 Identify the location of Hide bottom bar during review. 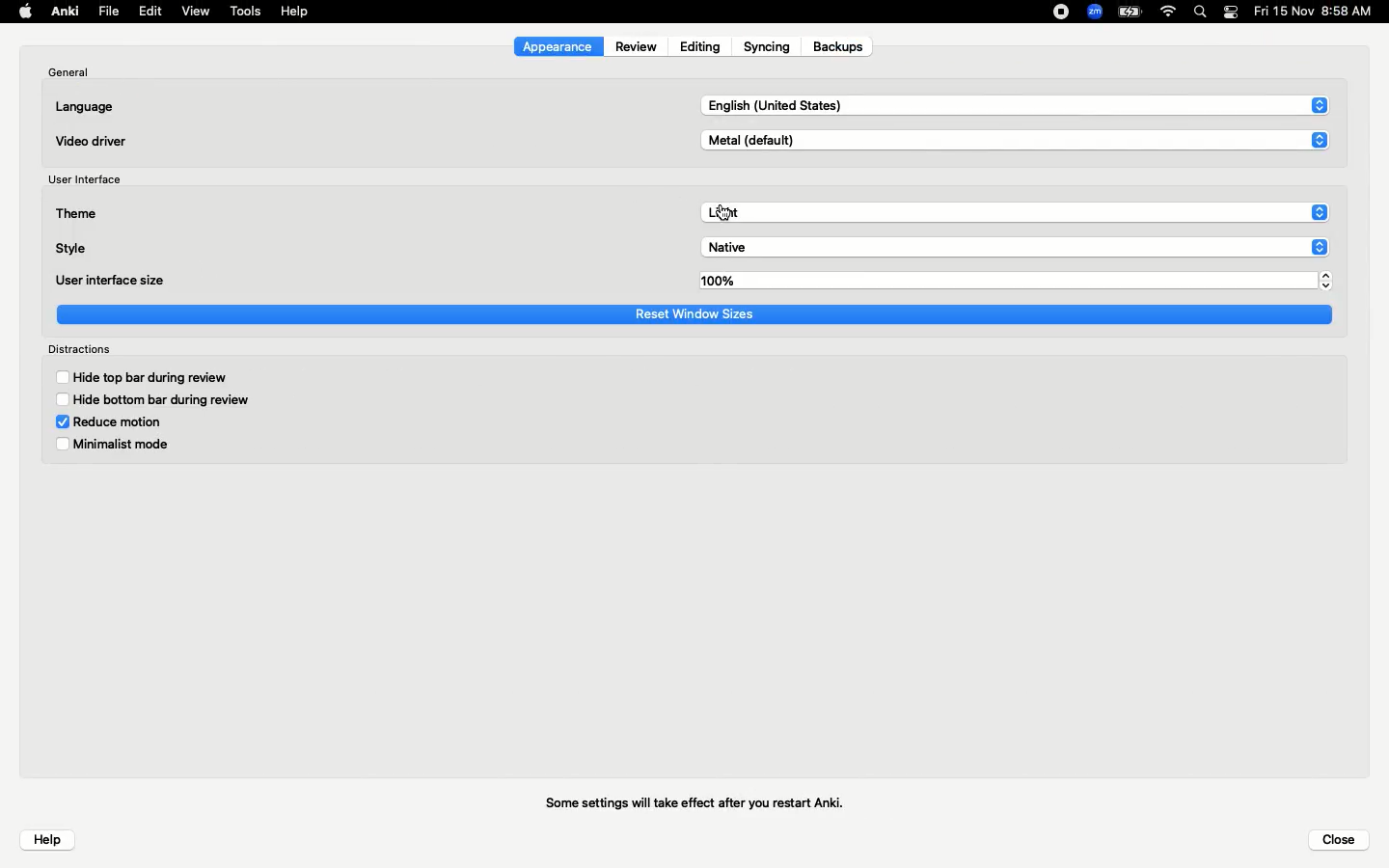
(155, 400).